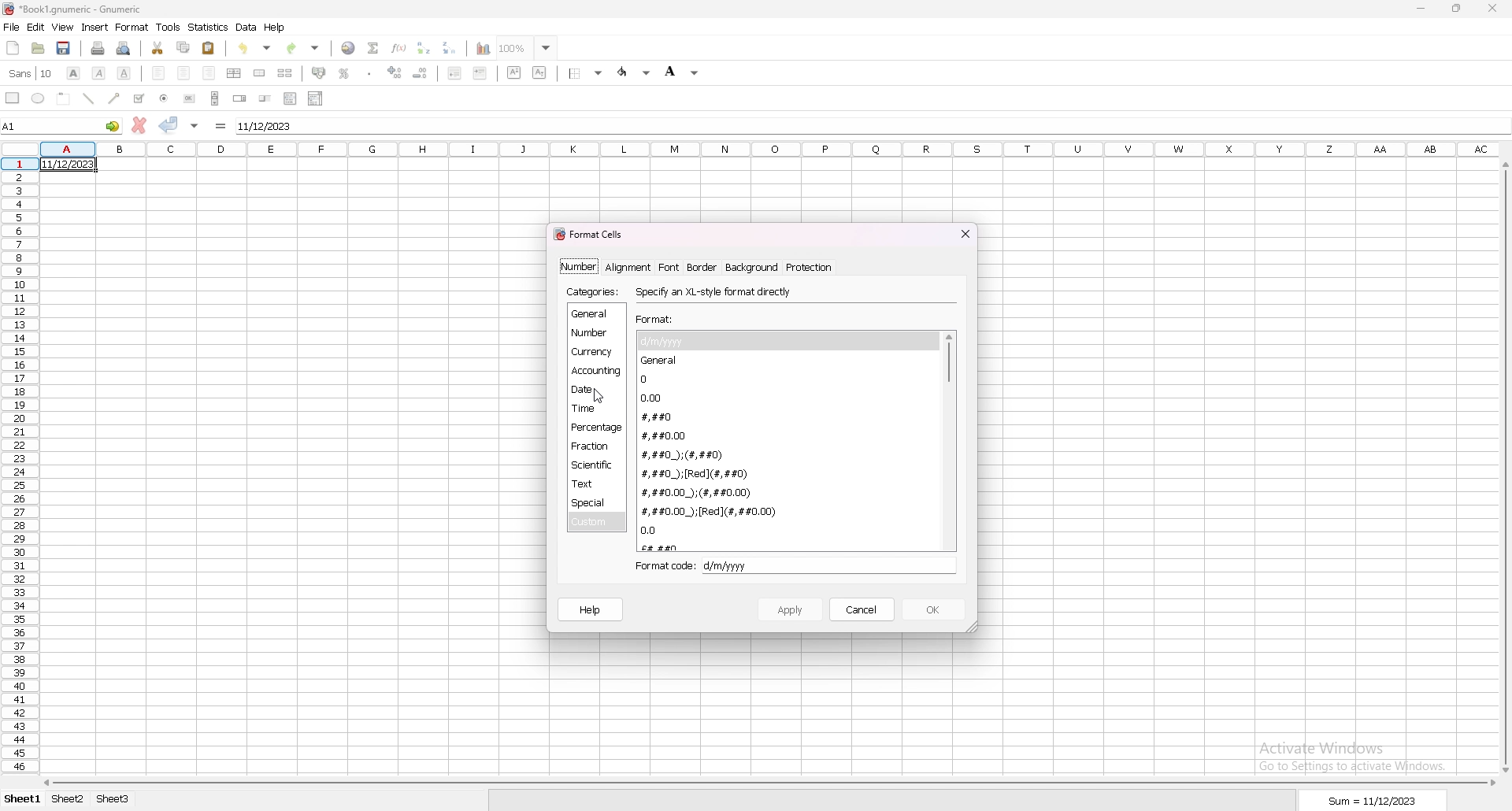 This screenshot has width=1512, height=811. Describe the element at coordinates (771, 783) in the screenshot. I see `scroll bar` at that location.